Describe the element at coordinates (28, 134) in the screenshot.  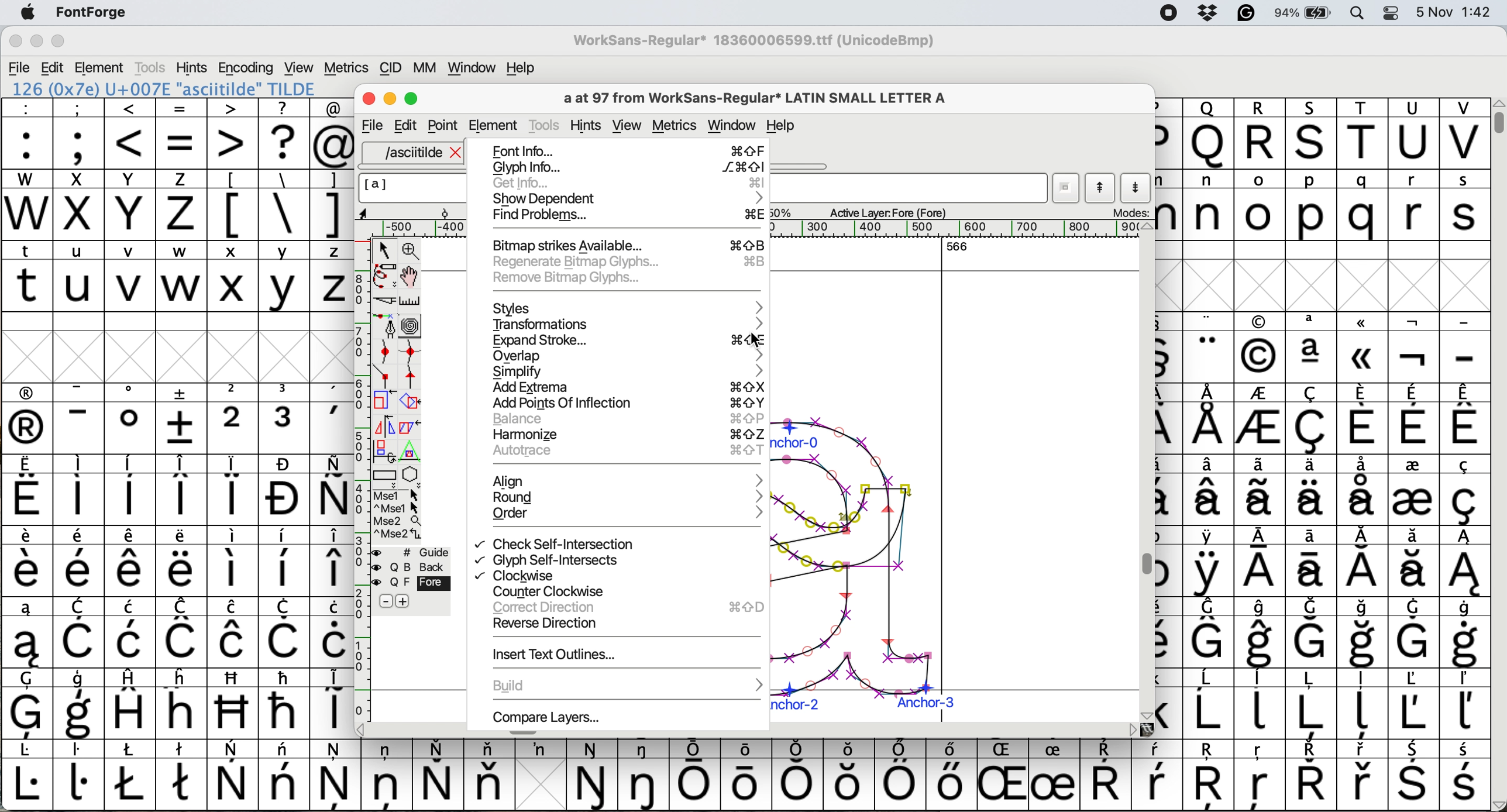
I see `:` at that location.